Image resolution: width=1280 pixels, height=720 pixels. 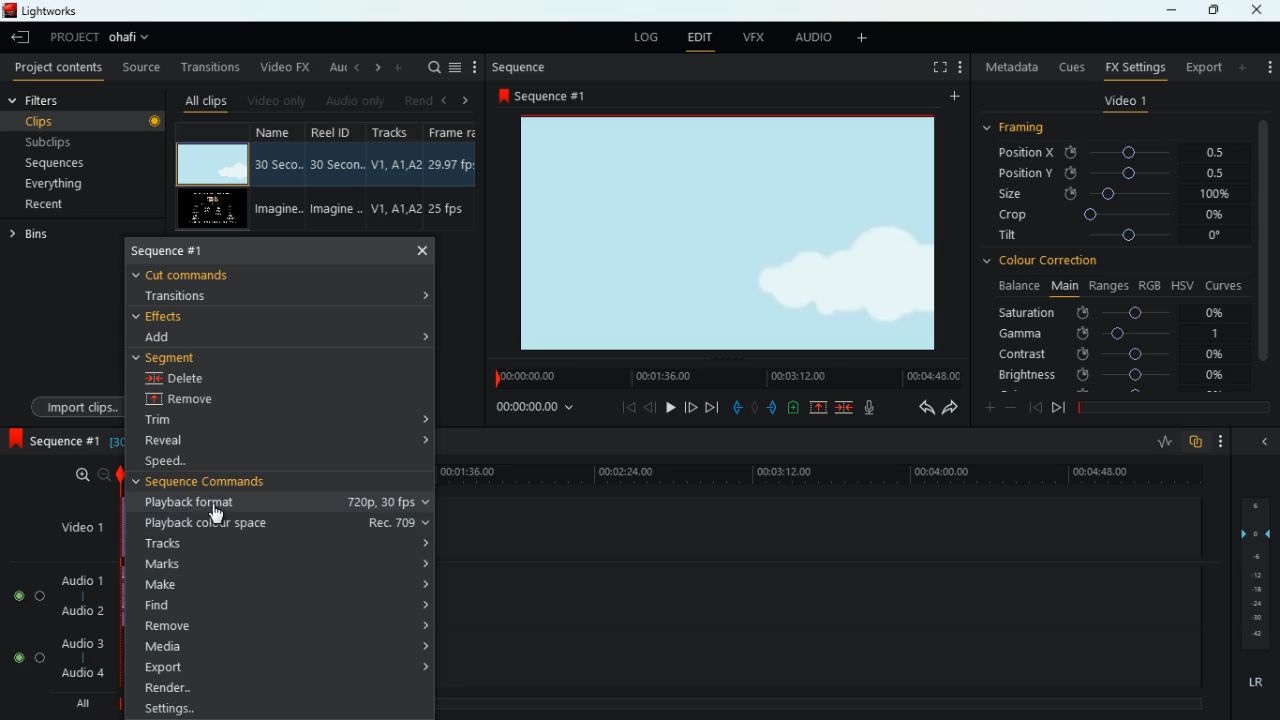 I want to click on maximize, so click(x=1212, y=10).